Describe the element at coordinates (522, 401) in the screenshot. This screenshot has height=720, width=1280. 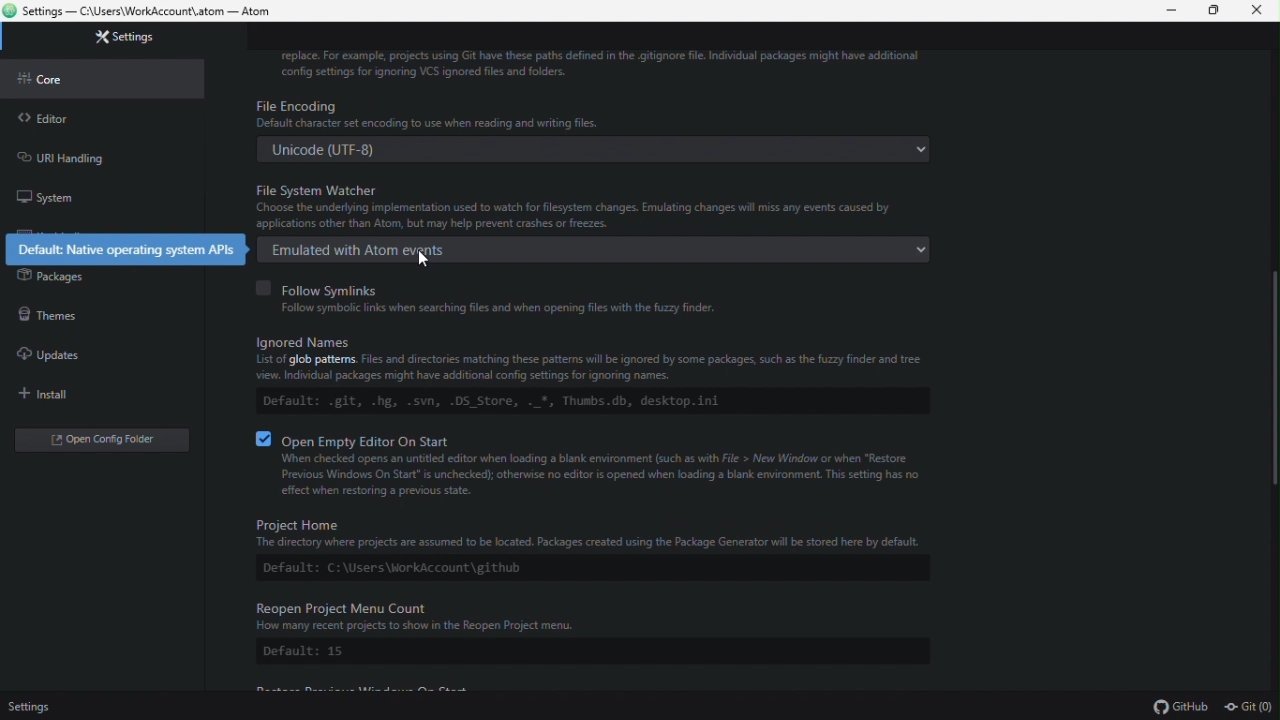
I see `Default: .git, .hg, .svn, .DS Store, ._*, Thumbs.db, desktop.ini` at that location.